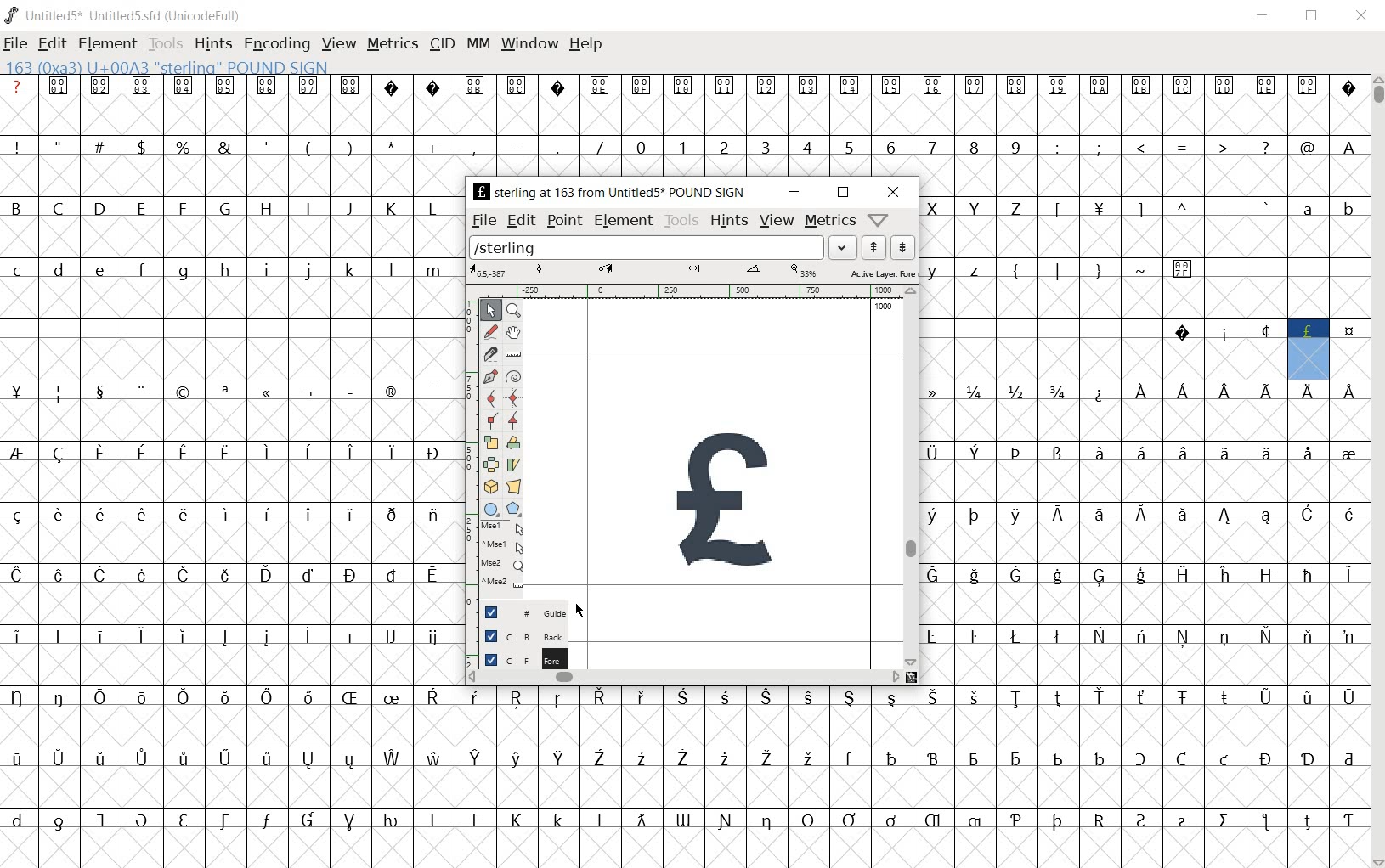 This screenshot has width=1385, height=868. What do you see at coordinates (1224, 332) in the screenshot?
I see `Symbol` at bounding box center [1224, 332].